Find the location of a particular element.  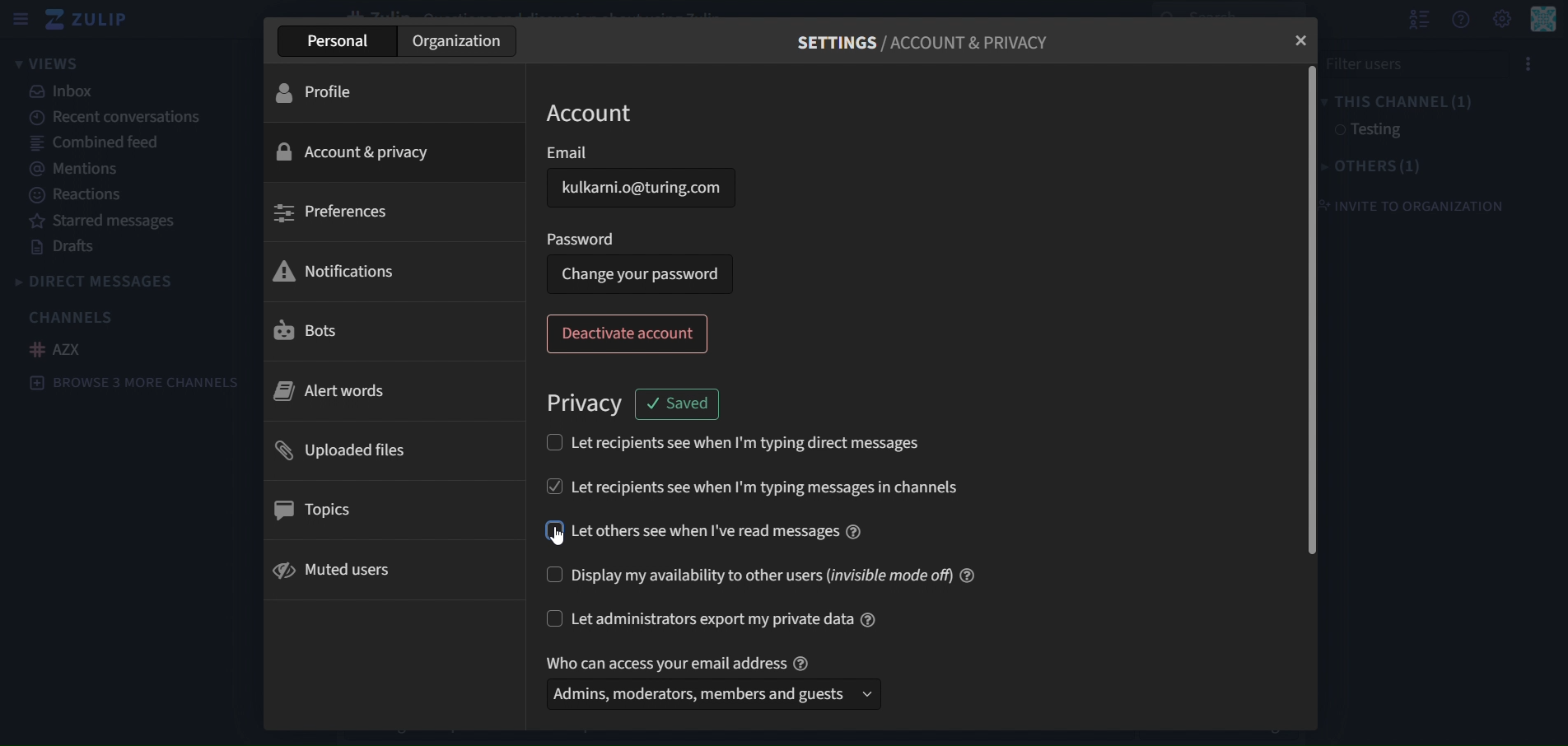

check box is located at coordinates (551, 442).